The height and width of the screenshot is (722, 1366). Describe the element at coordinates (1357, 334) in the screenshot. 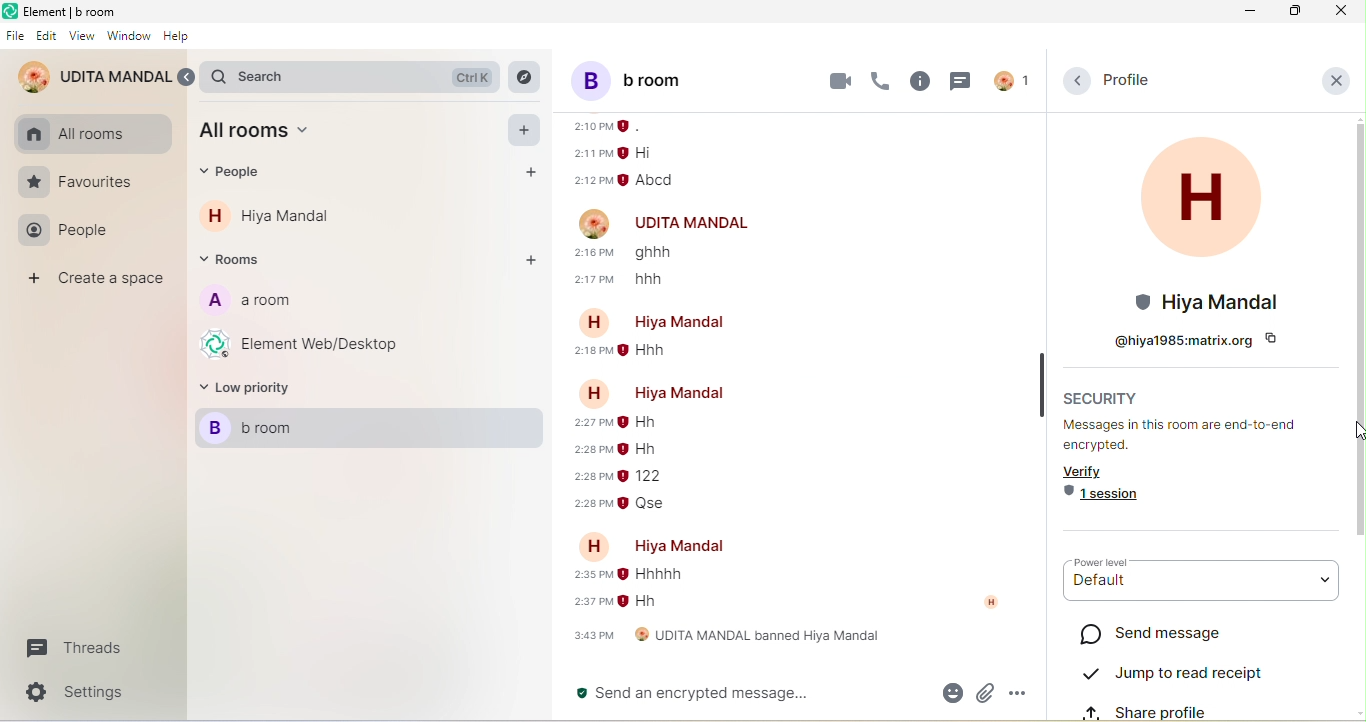

I see `vertical scroll bar` at that location.